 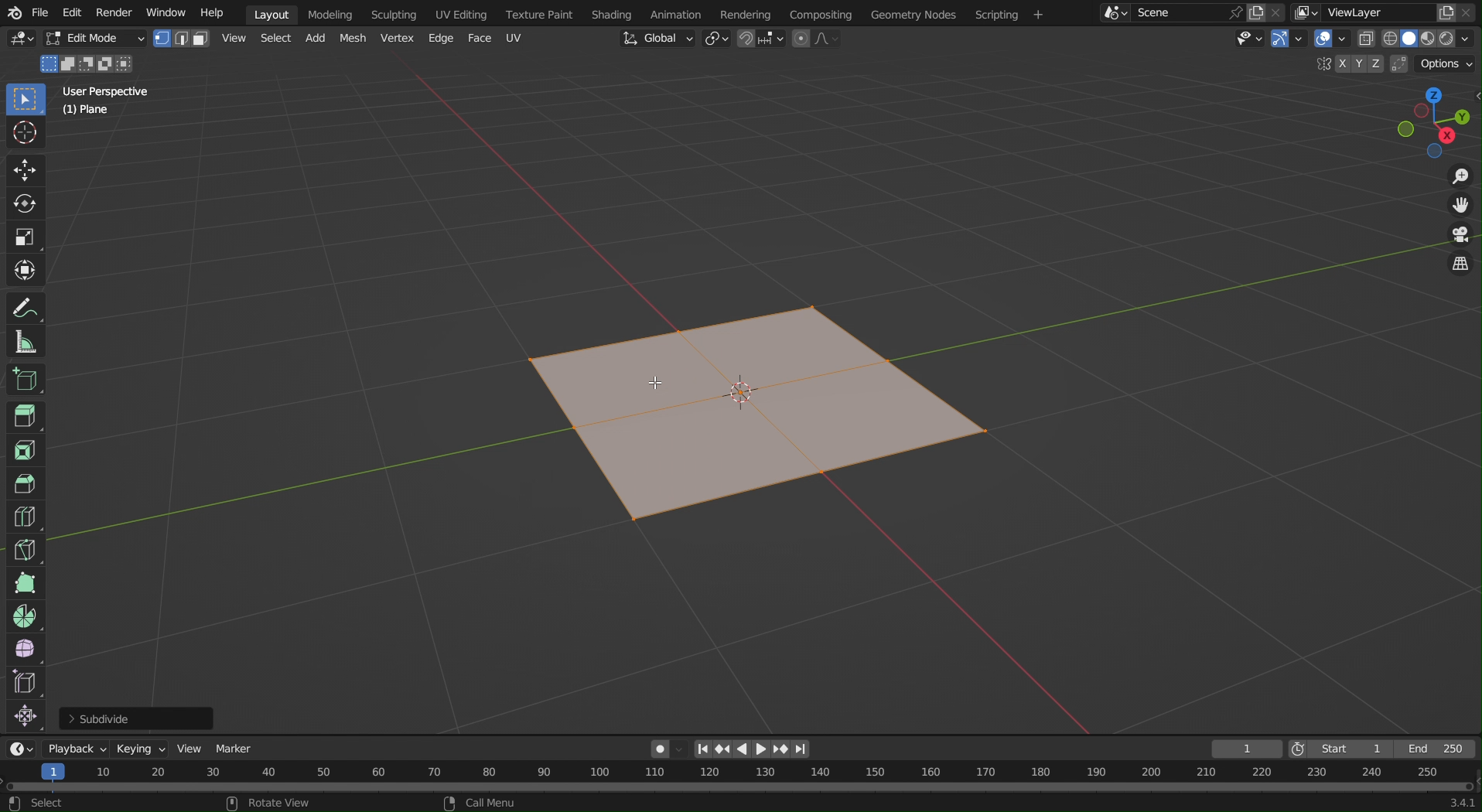 I want to click on Knife, so click(x=25, y=549).